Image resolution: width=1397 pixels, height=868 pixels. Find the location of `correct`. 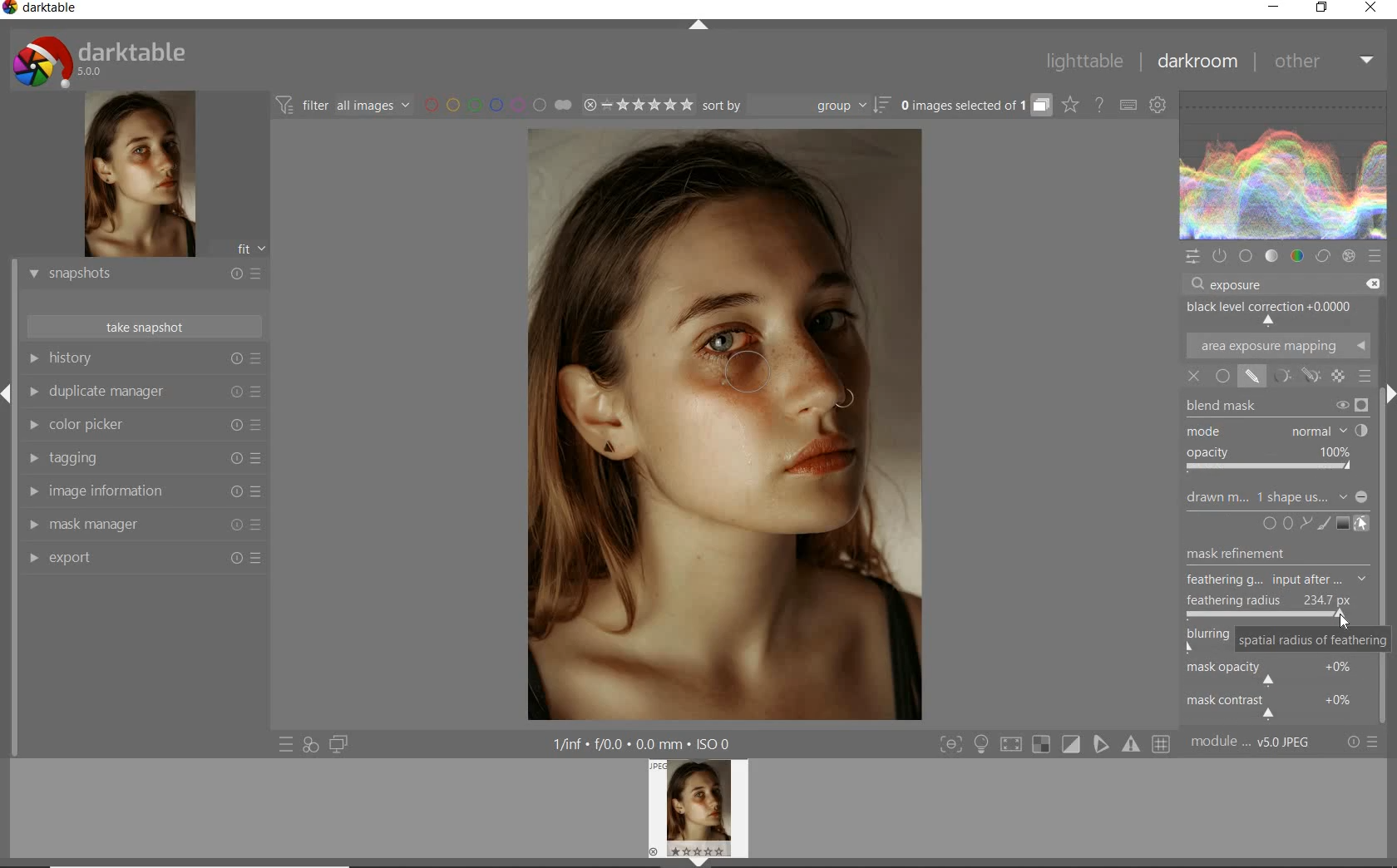

correct is located at coordinates (1324, 254).